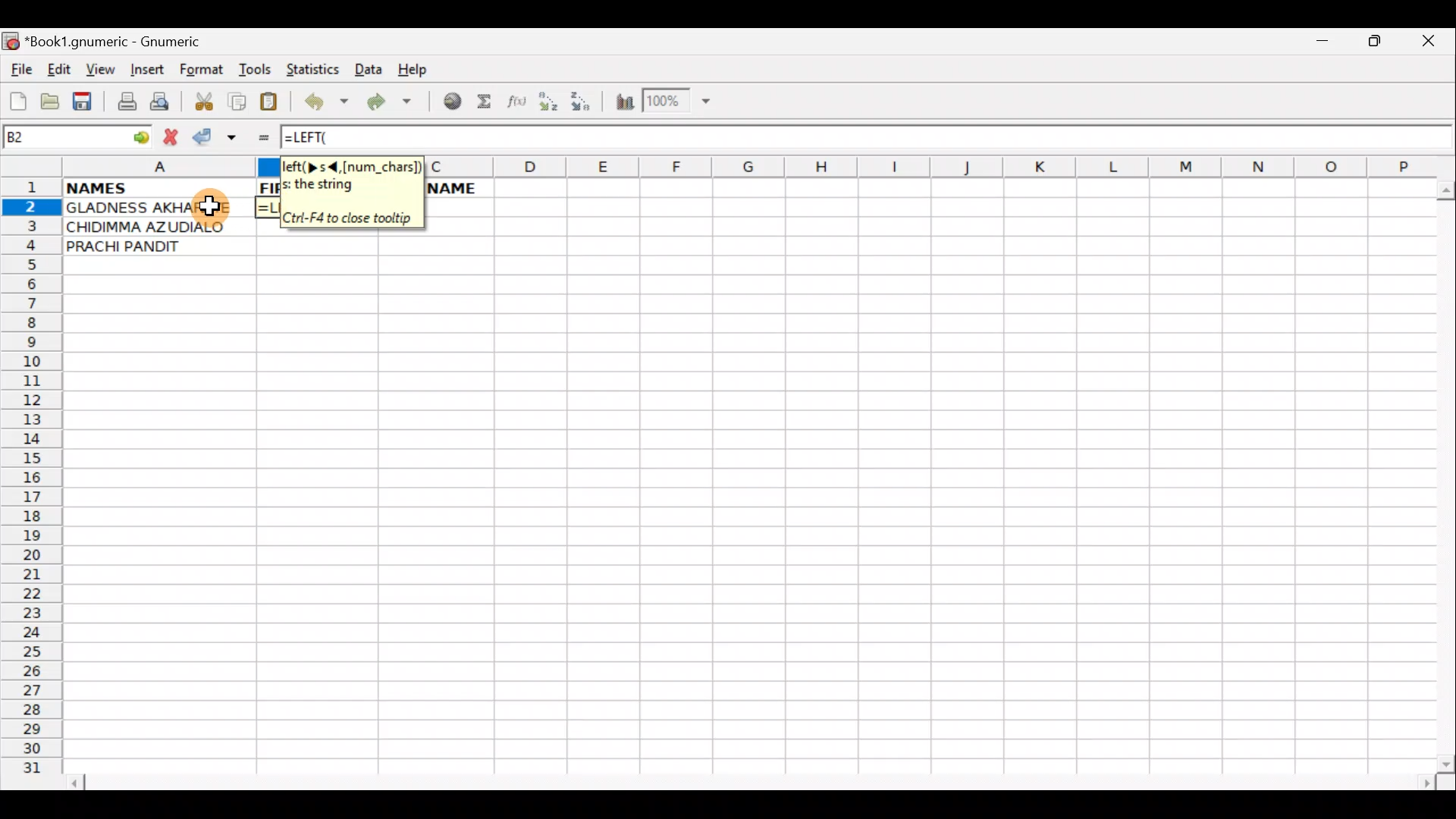  What do you see at coordinates (274, 104) in the screenshot?
I see `Paste clipboard` at bounding box center [274, 104].